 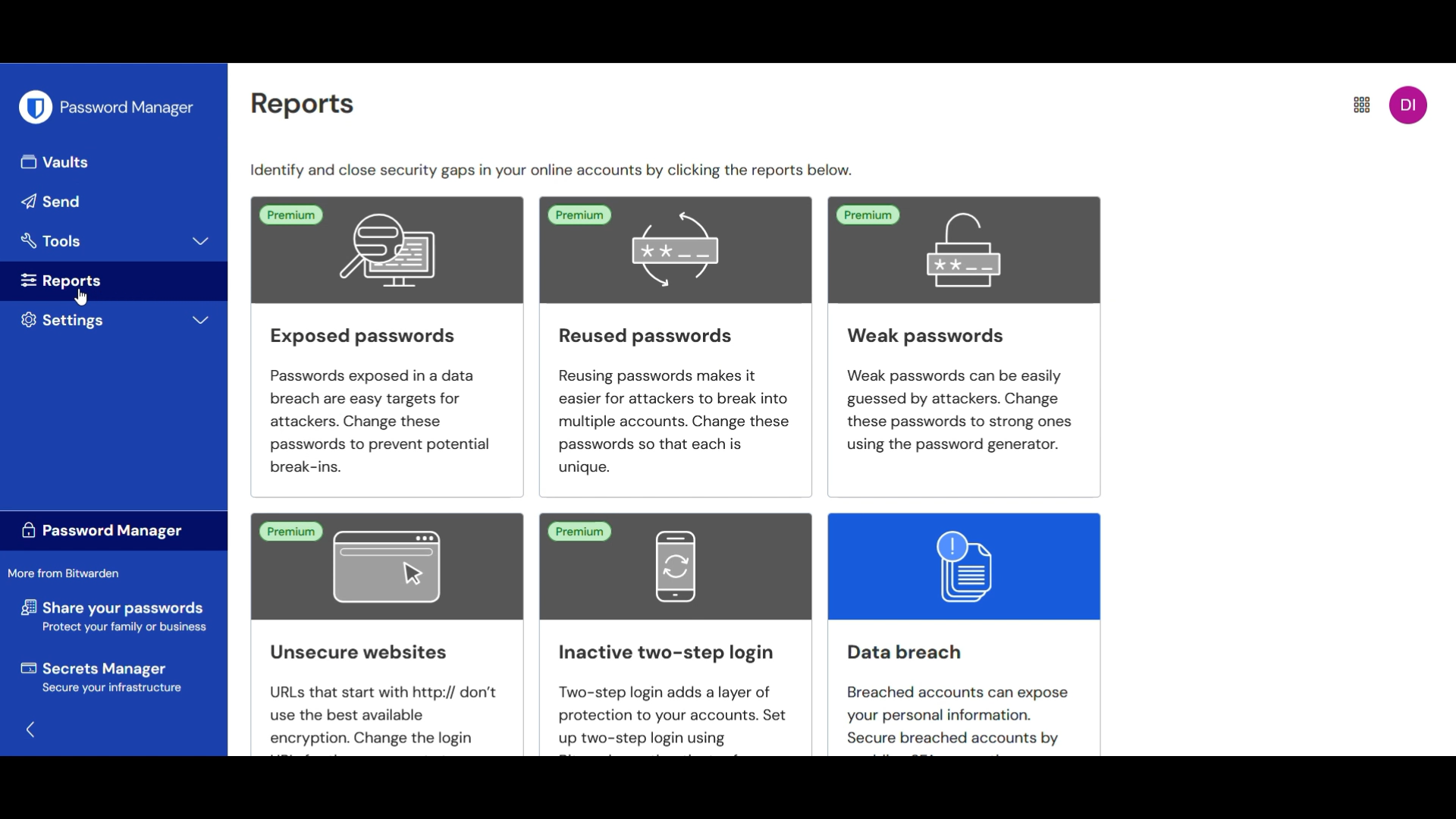 What do you see at coordinates (1364, 103) in the screenshot?
I see `More settings` at bounding box center [1364, 103].